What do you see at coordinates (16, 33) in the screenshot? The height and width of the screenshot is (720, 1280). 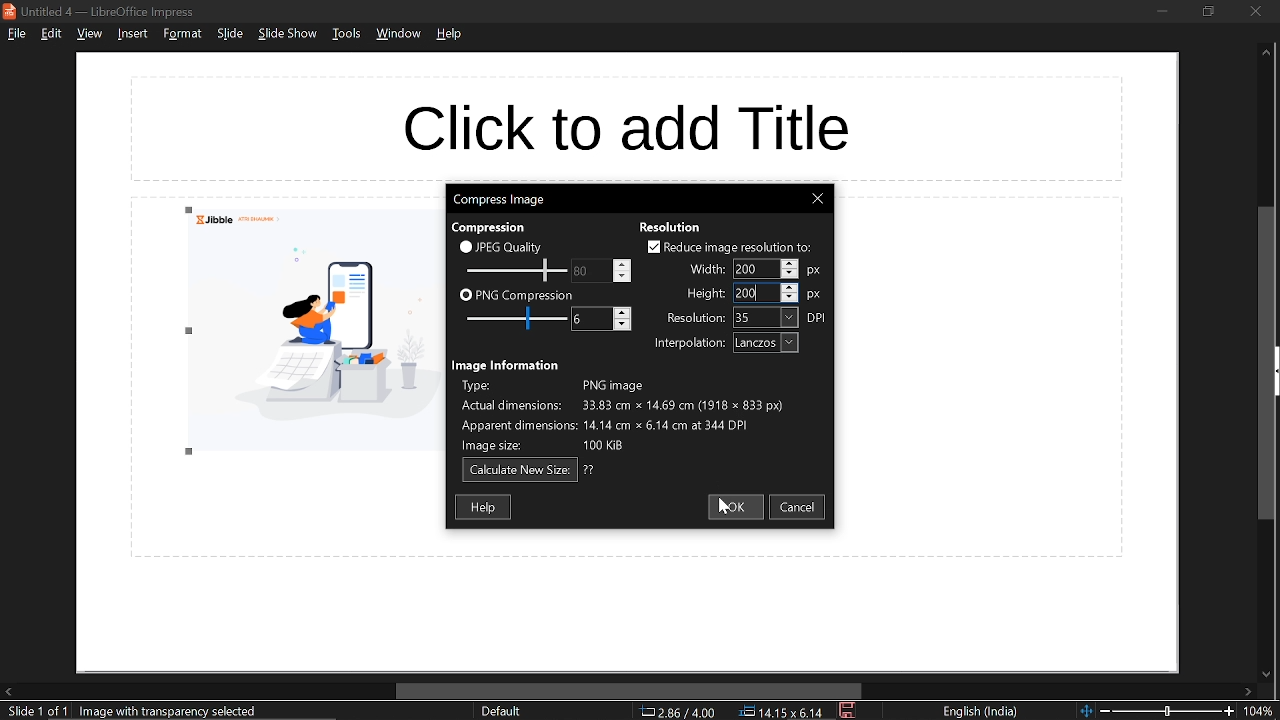 I see `file` at bounding box center [16, 33].